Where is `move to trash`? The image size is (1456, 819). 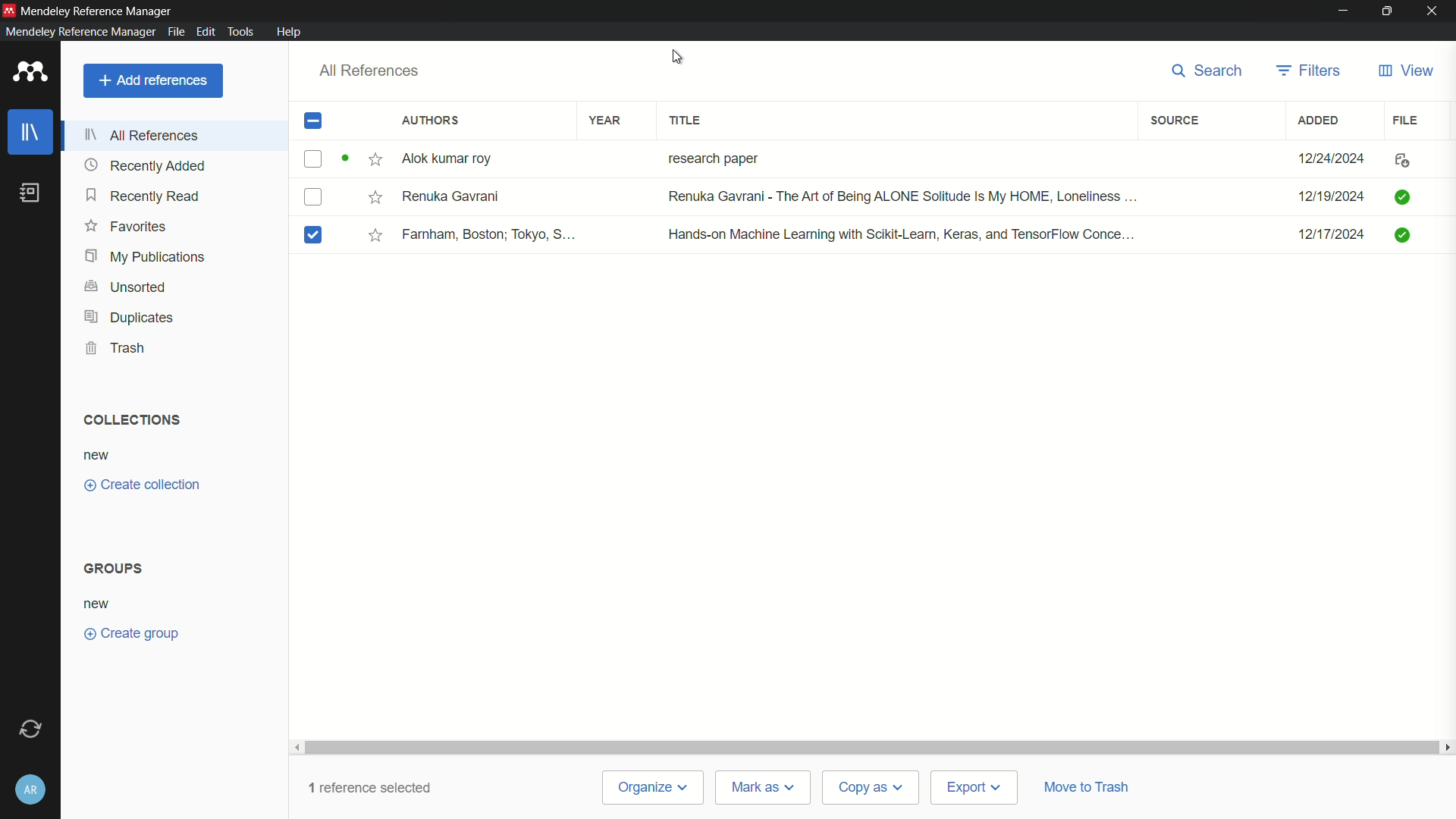
move to trash is located at coordinates (1087, 786).